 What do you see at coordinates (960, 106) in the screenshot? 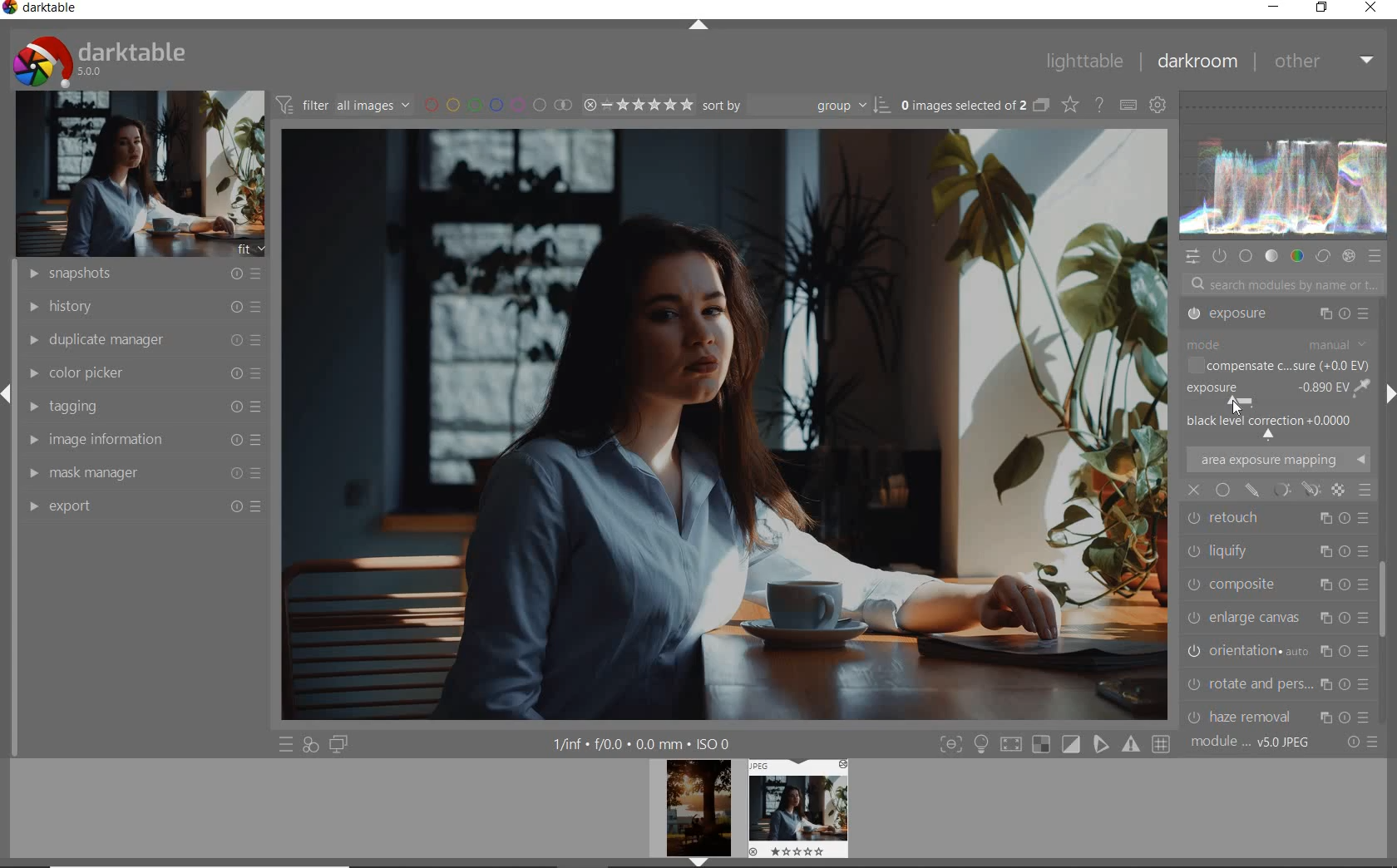
I see `SELECTED IMAGES` at bounding box center [960, 106].